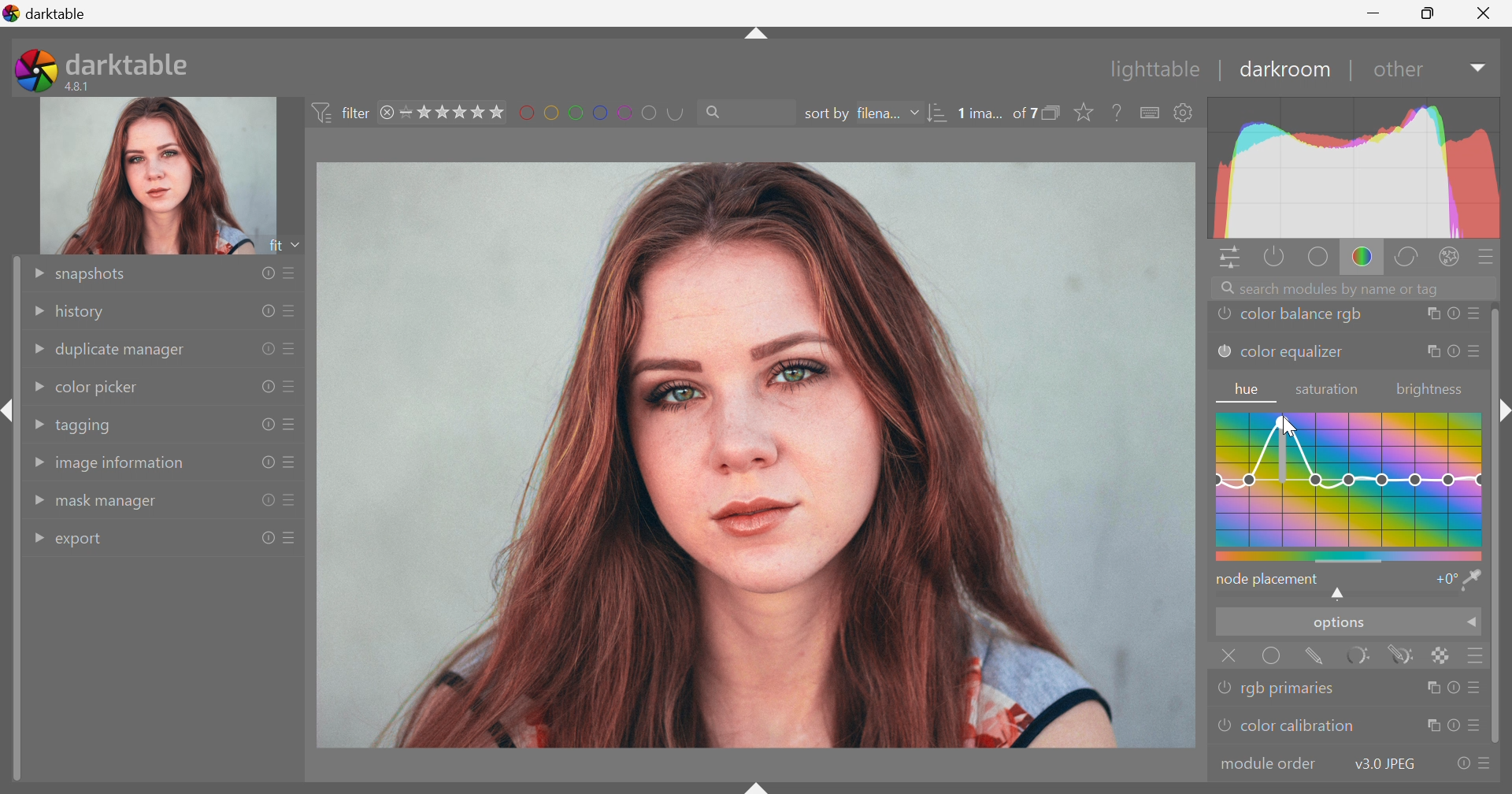 This screenshot has height=794, width=1512. What do you see at coordinates (1336, 625) in the screenshot?
I see `options` at bounding box center [1336, 625].